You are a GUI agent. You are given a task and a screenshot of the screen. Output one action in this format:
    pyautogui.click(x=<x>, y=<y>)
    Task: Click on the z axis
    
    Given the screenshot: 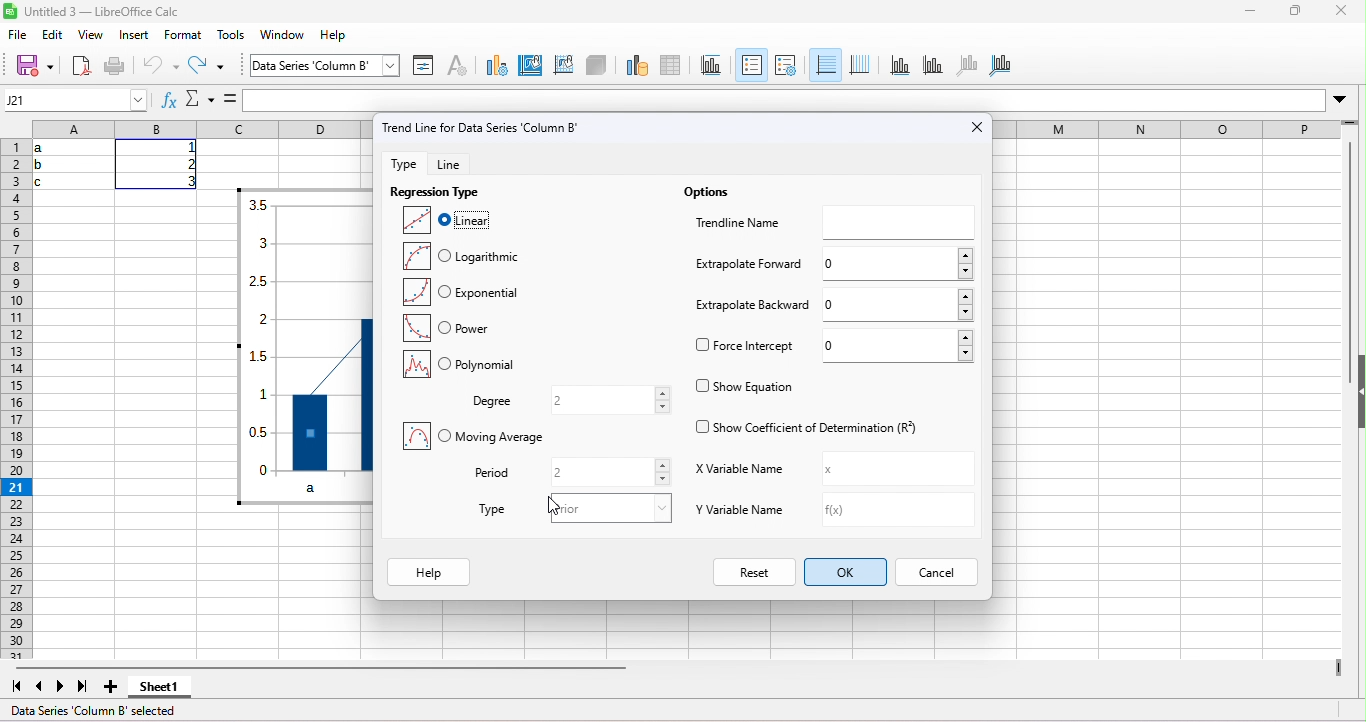 What is the action you would take?
    pyautogui.click(x=971, y=64)
    